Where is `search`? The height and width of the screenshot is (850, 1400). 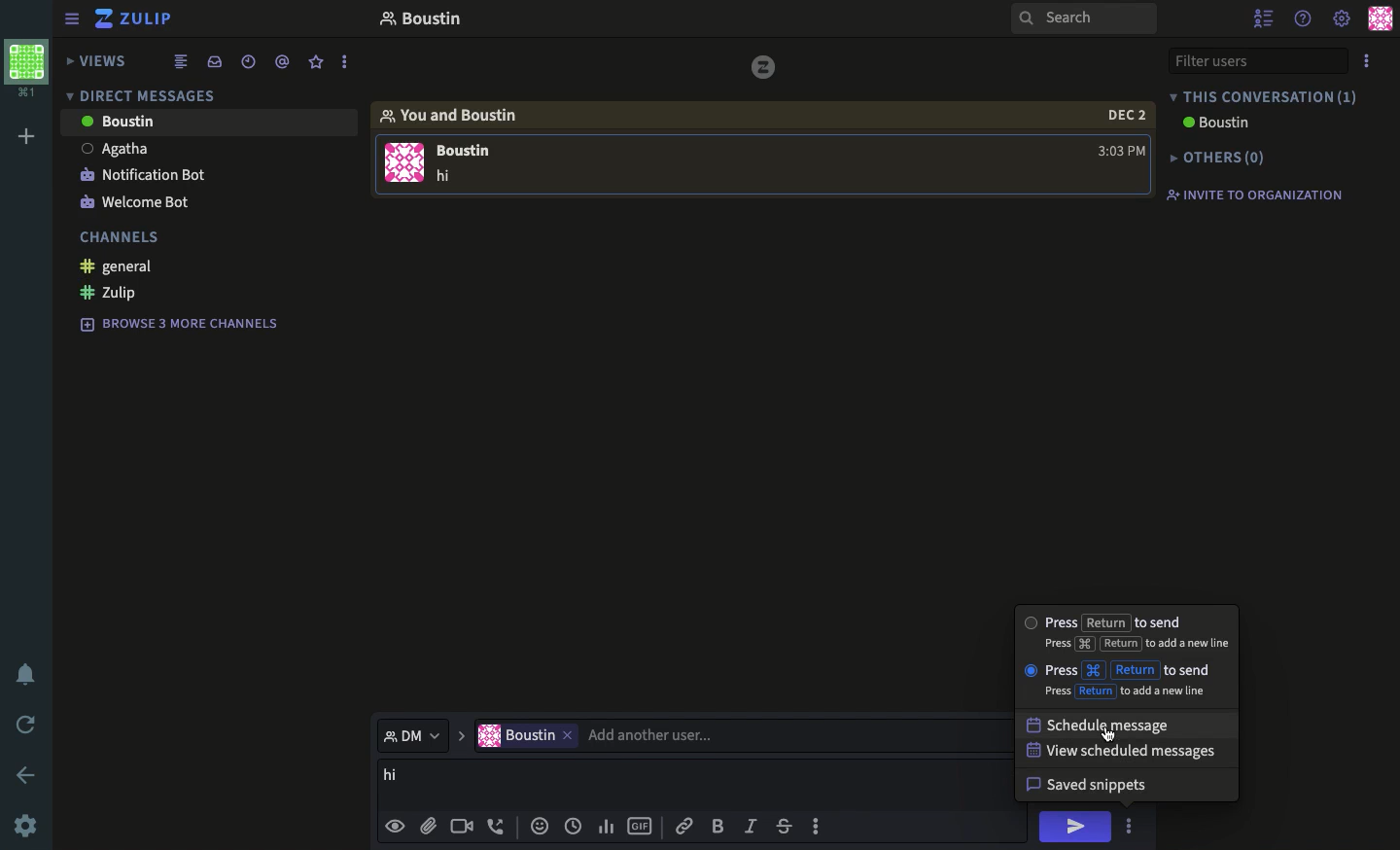 search is located at coordinates (1080, 19).